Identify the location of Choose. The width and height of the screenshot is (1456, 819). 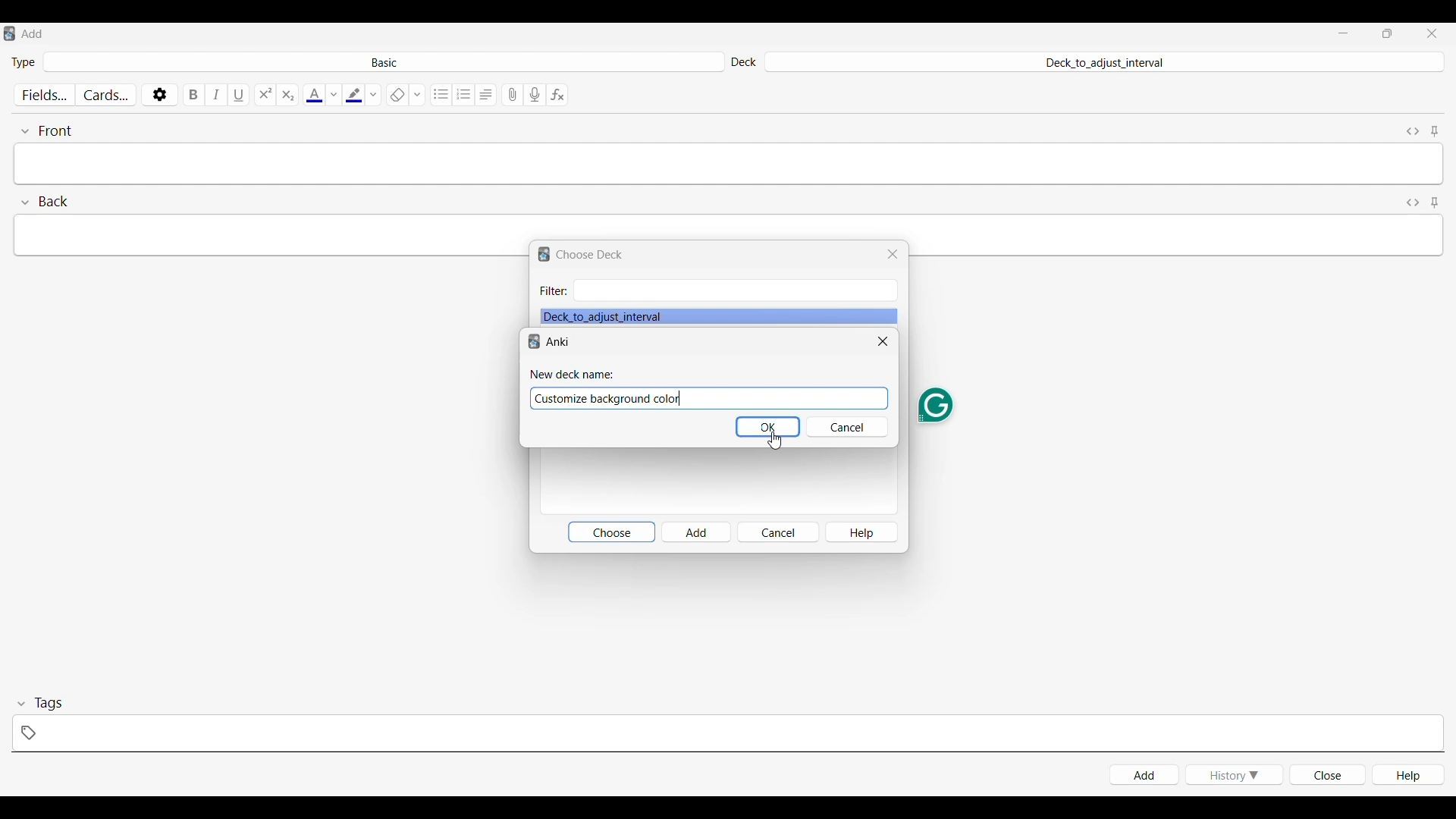
(610, 532).